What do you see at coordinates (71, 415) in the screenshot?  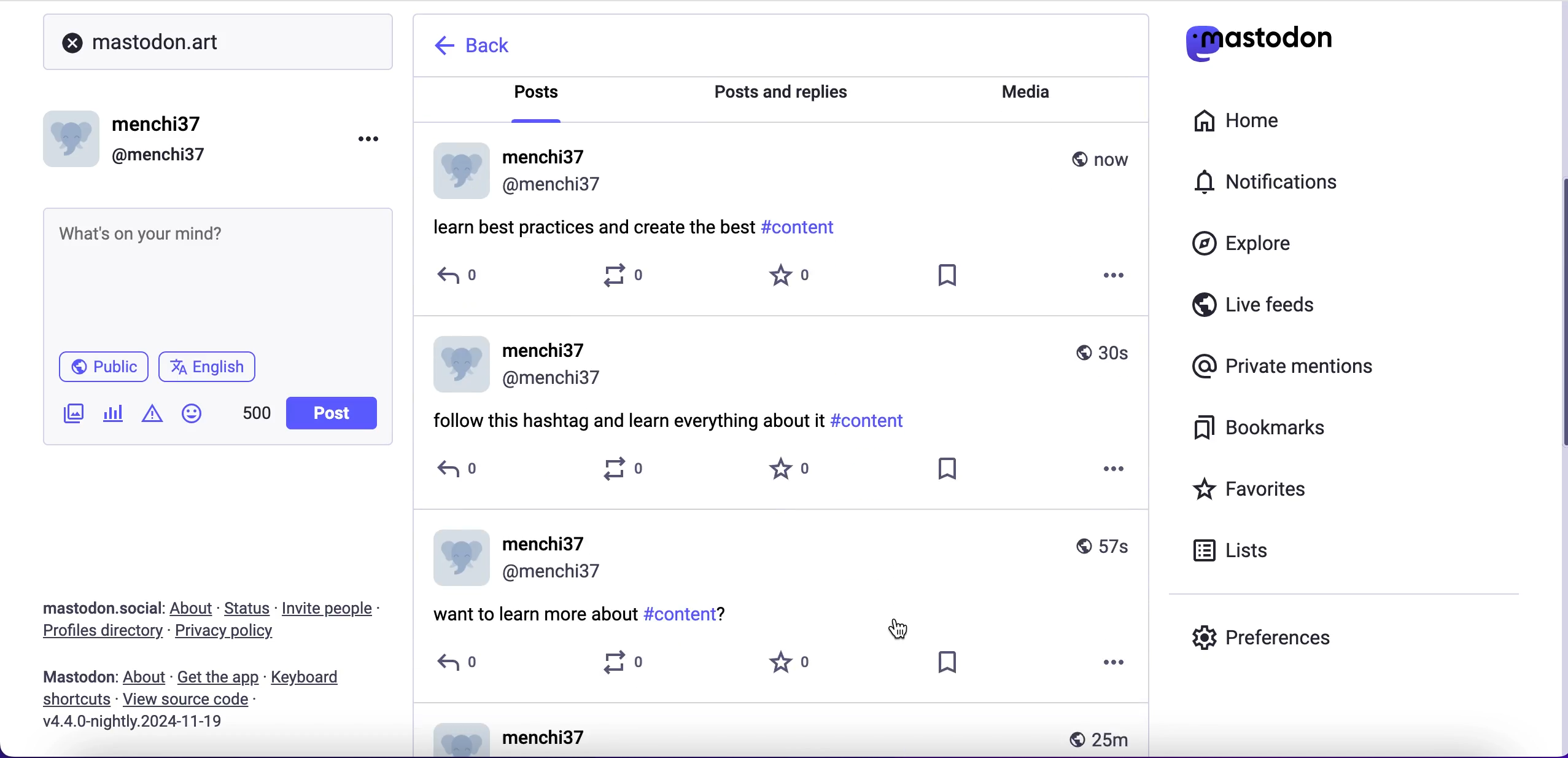 I see `add image` at bounding box center [71, 415].